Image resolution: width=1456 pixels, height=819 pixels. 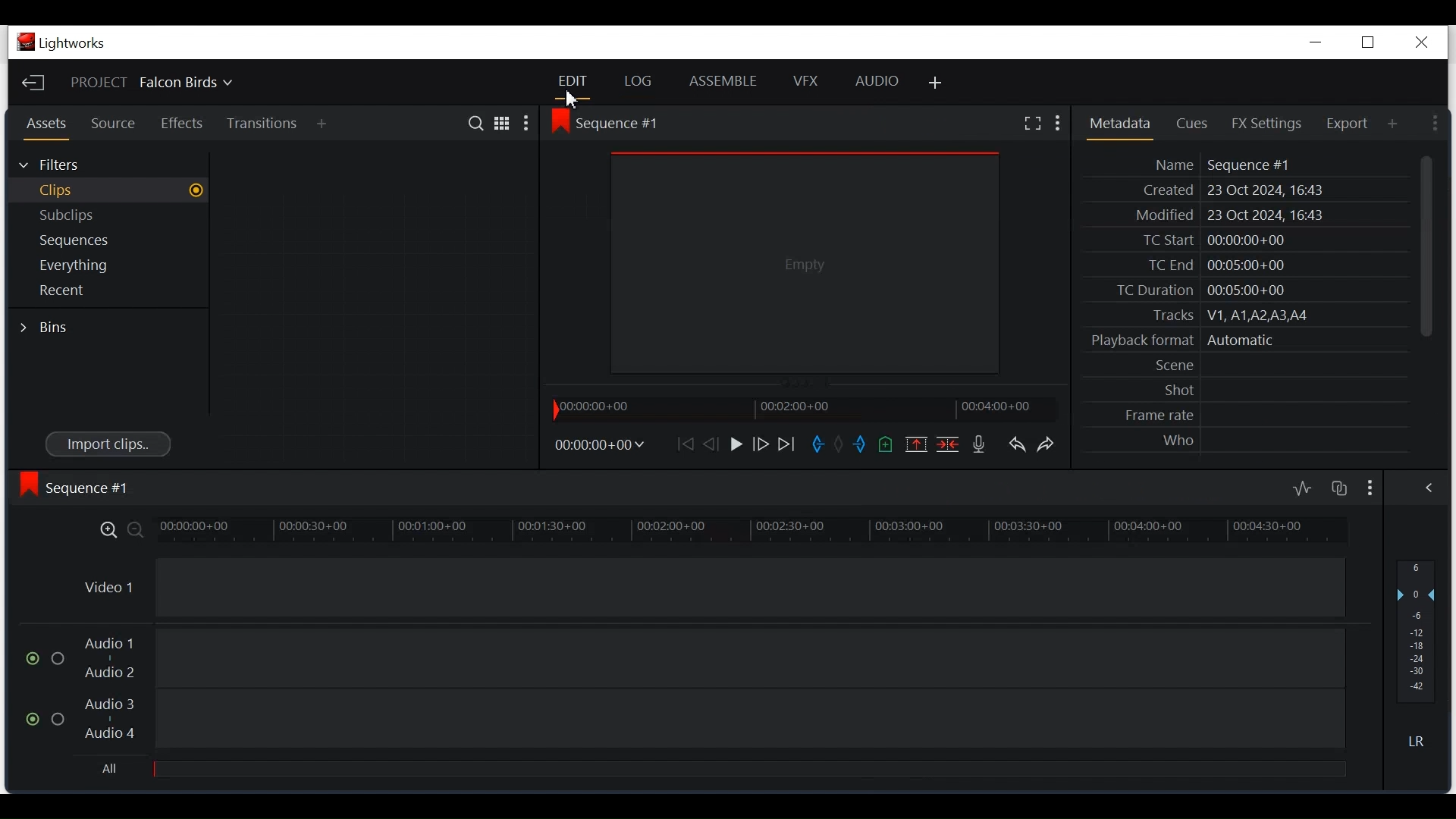 What do you see at coordinates (594, 448) in the screenshot?
I see `Timecodes and reels` at bounding box center [594, 448].